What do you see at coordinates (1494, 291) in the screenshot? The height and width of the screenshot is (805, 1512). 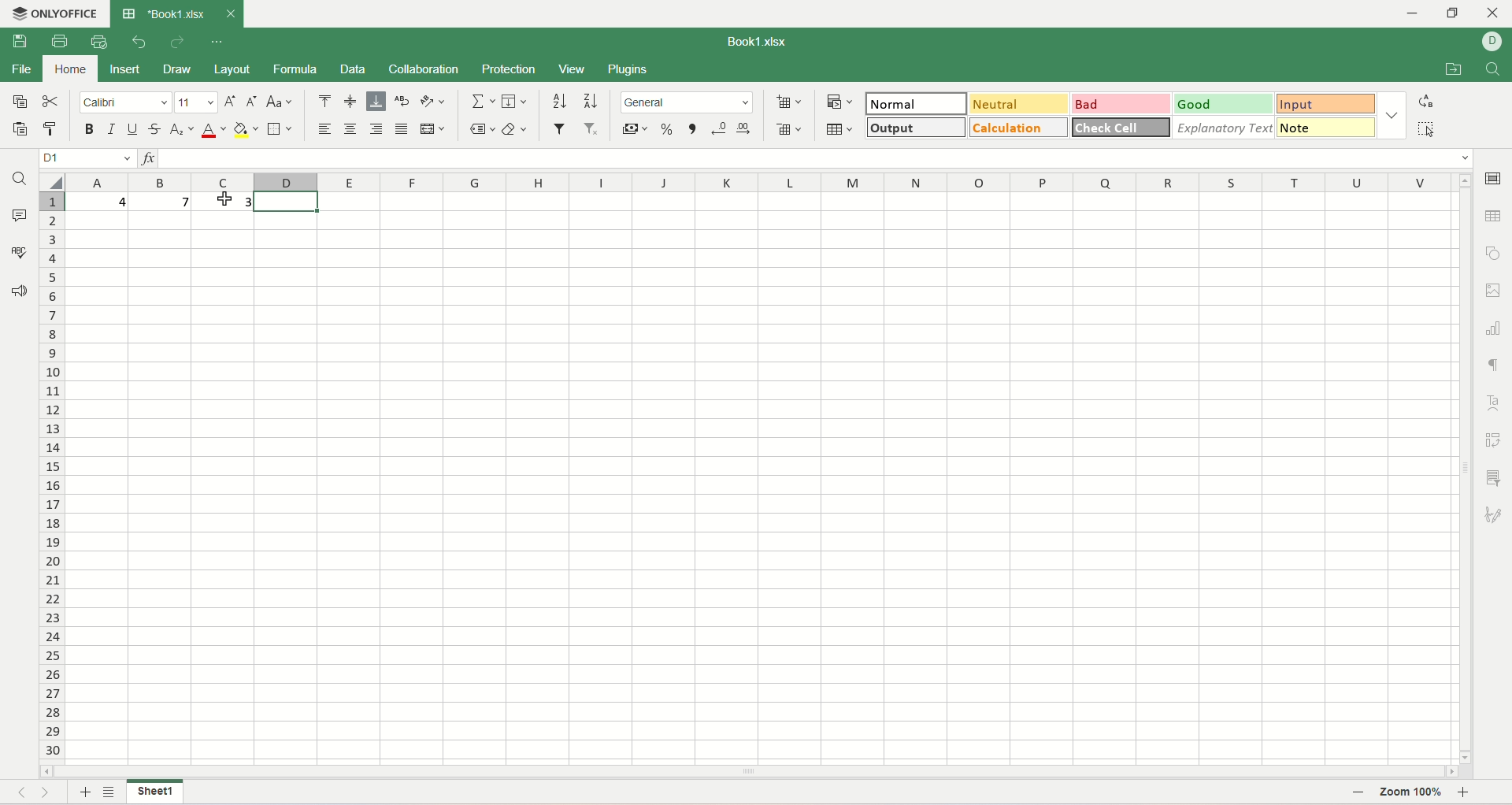 I see `image settings` at bounding box center [1494, 291].